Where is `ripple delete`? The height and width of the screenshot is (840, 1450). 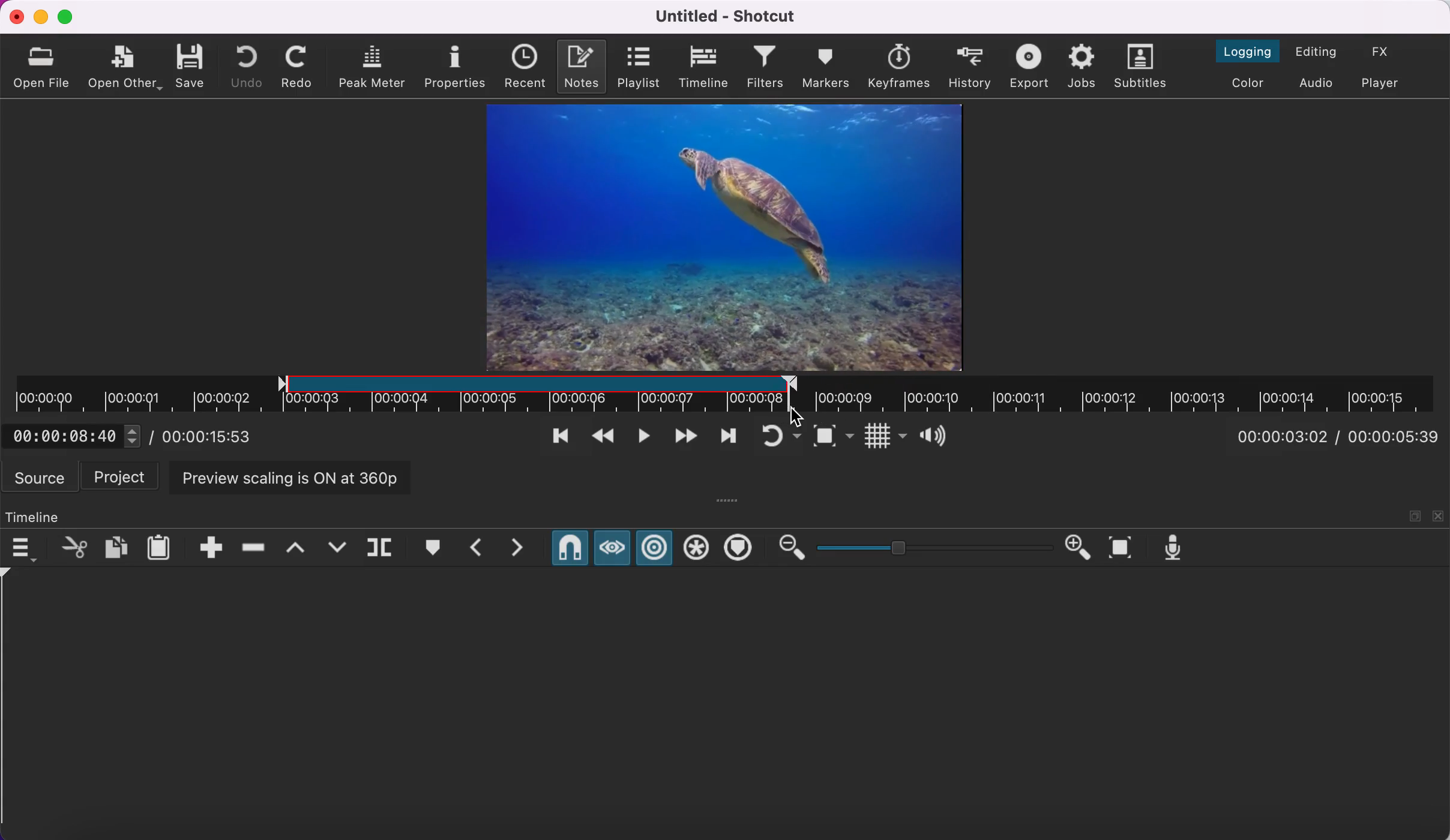 ripple delete is located at coordinates (252, 548).